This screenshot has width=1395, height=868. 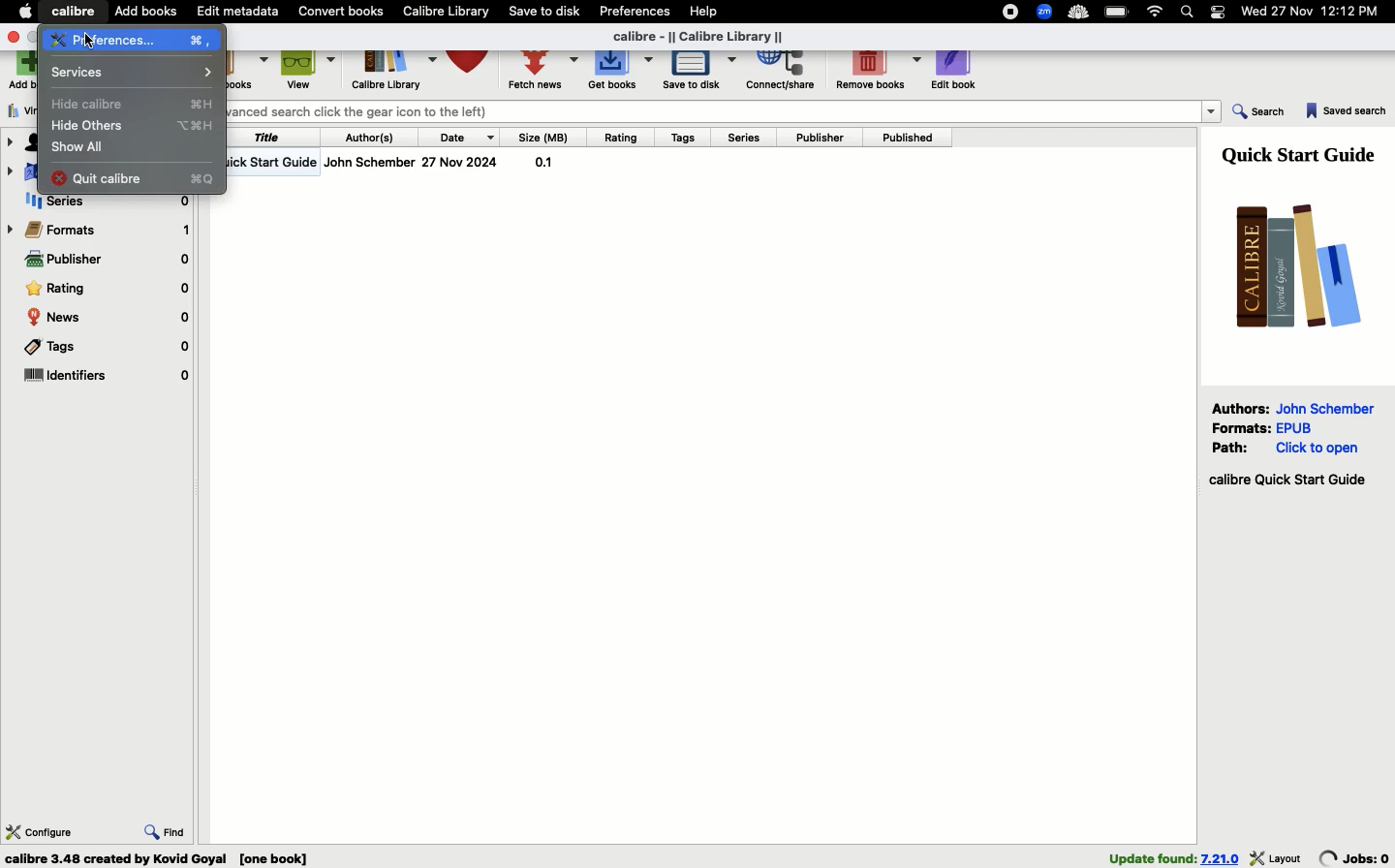 I want to click on Calibre, so click(x=77, y=11).